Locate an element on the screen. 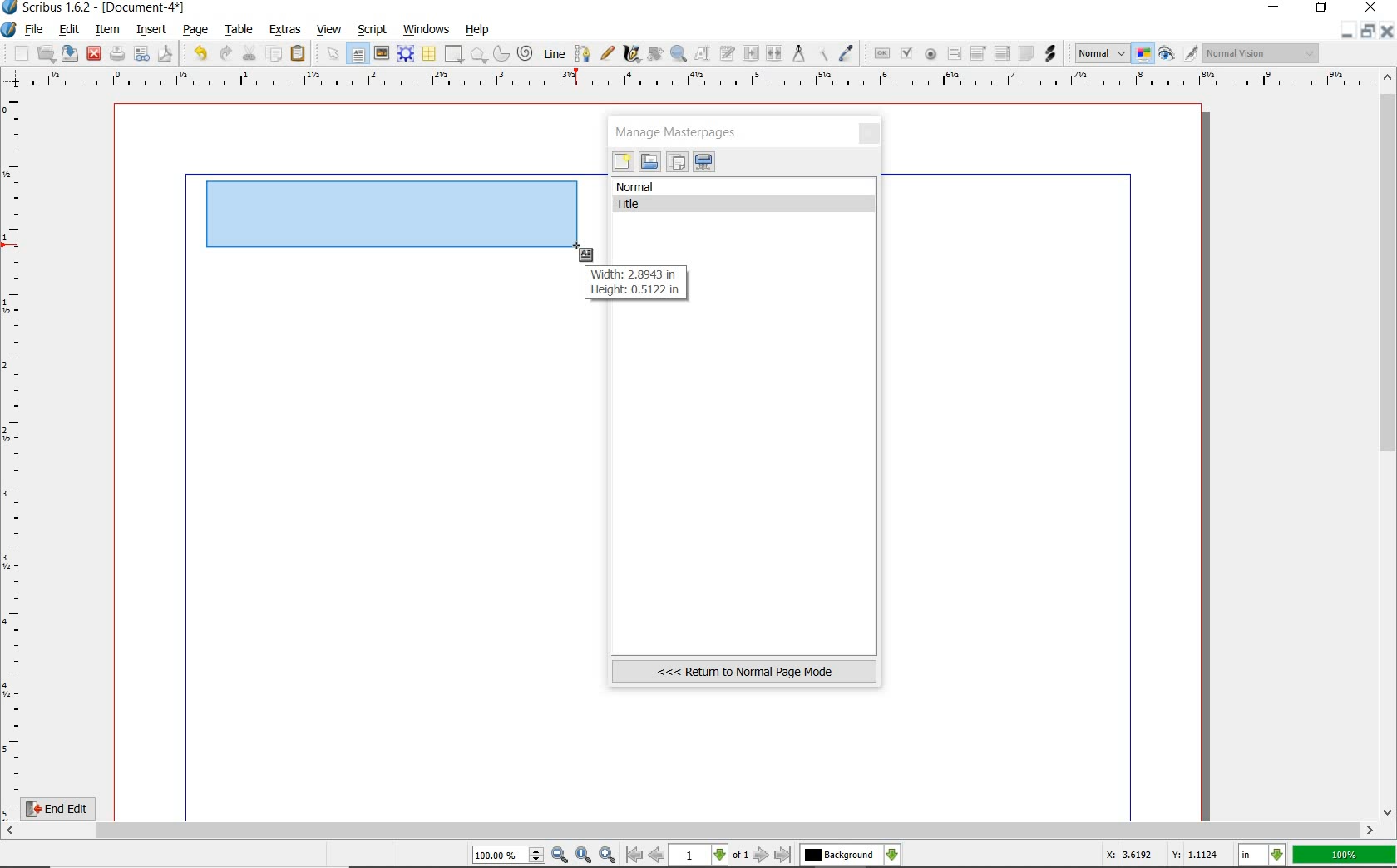  100% is located at coordinates (1345, 855).